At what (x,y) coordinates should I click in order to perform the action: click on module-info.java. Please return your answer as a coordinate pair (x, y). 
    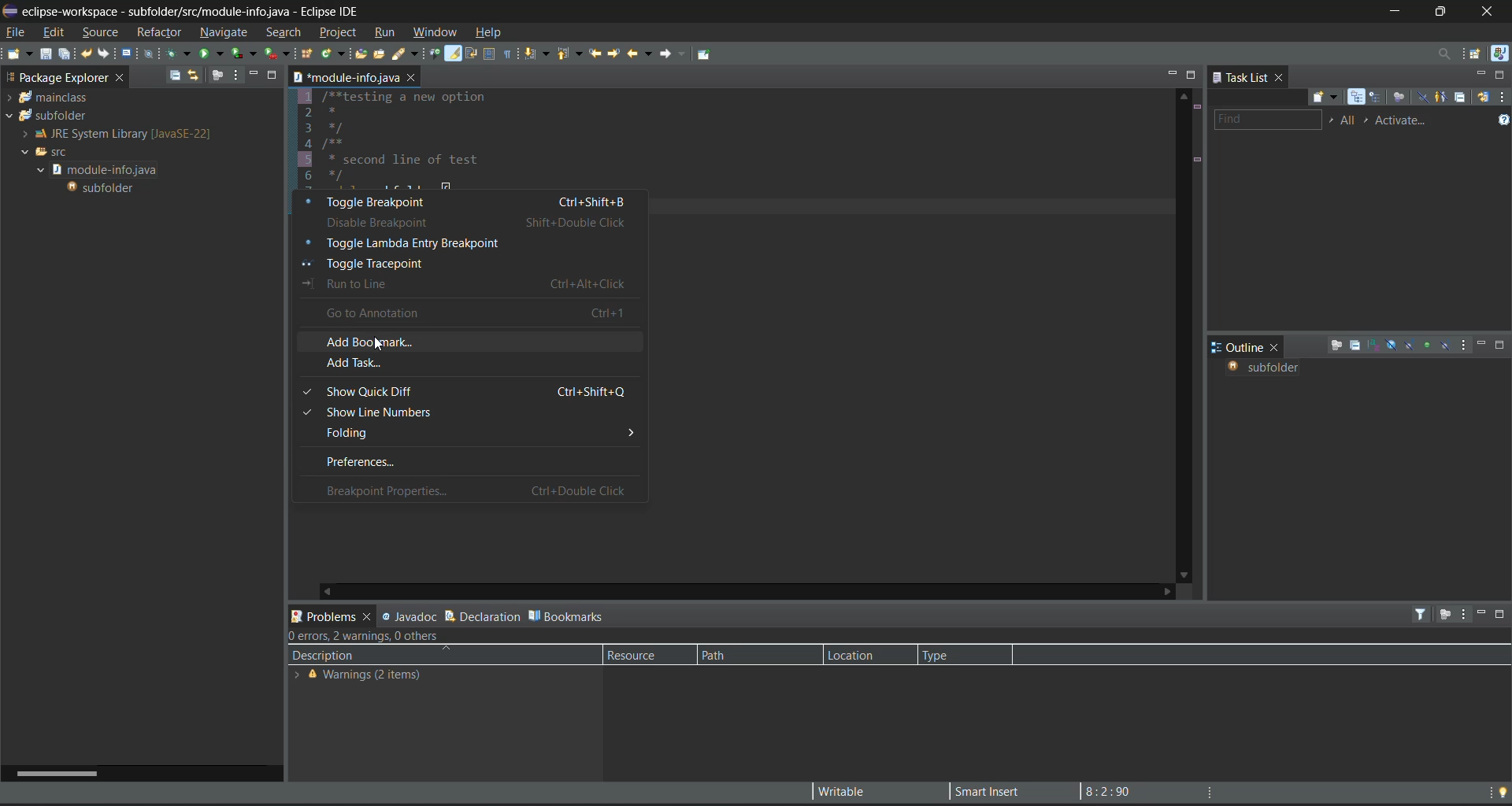
    Looking at the image, I should click on (103, 171).